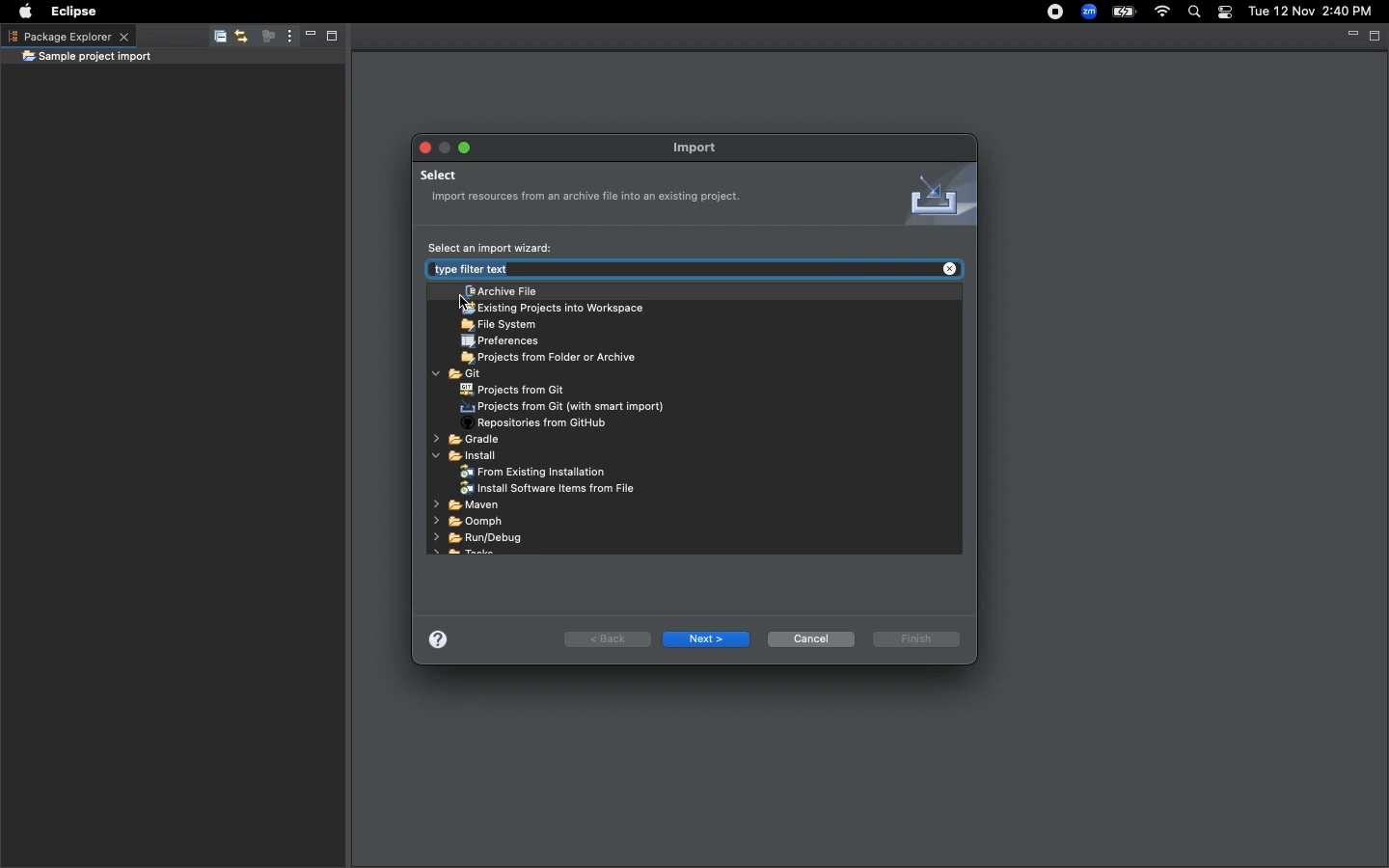  What do you see at coordinates (707, 639) in the screenshot?
I see `Next` at bounding box center [707, 639].